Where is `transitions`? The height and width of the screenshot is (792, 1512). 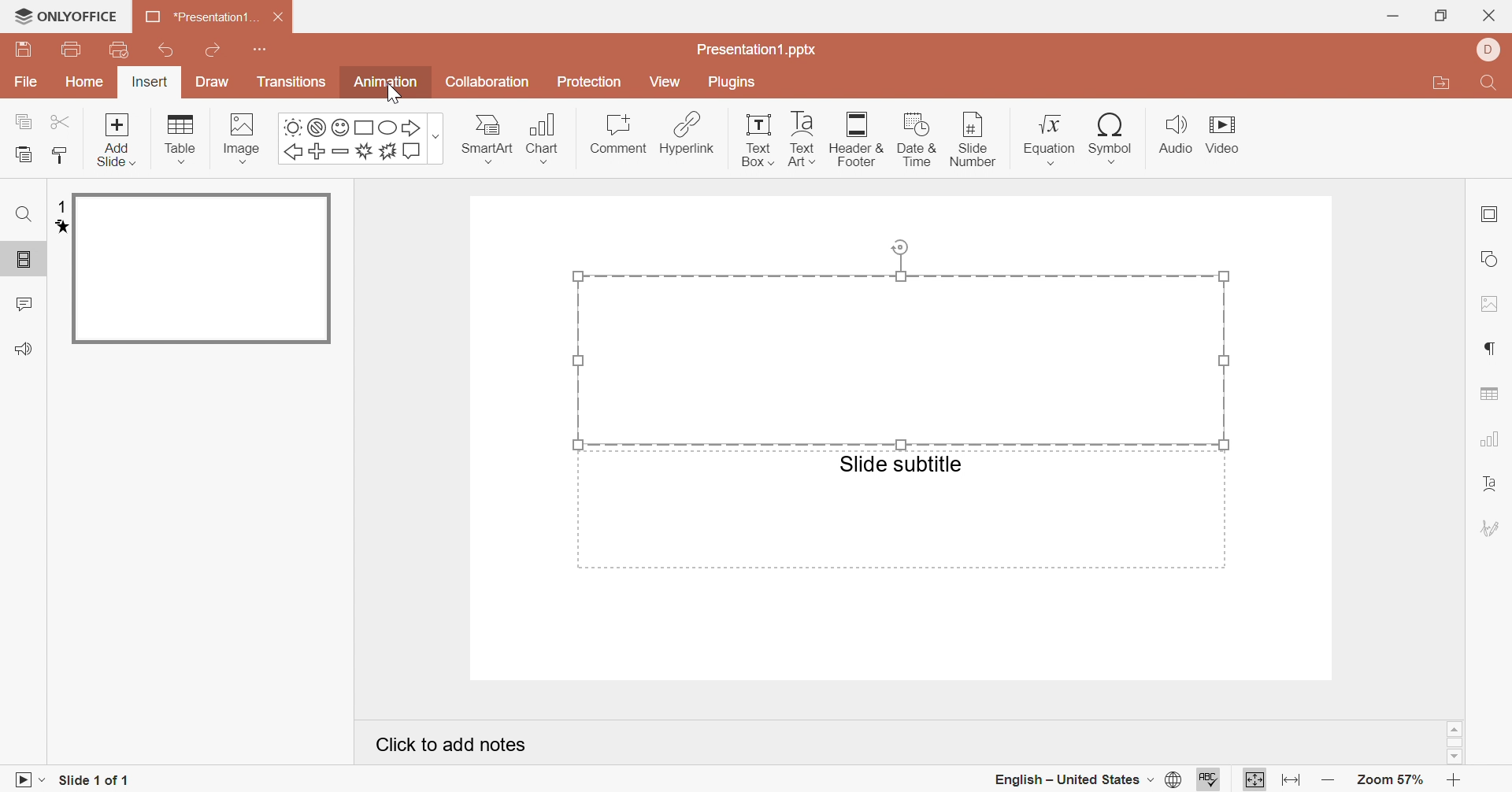 transitions is located at coordinates (291, 83).